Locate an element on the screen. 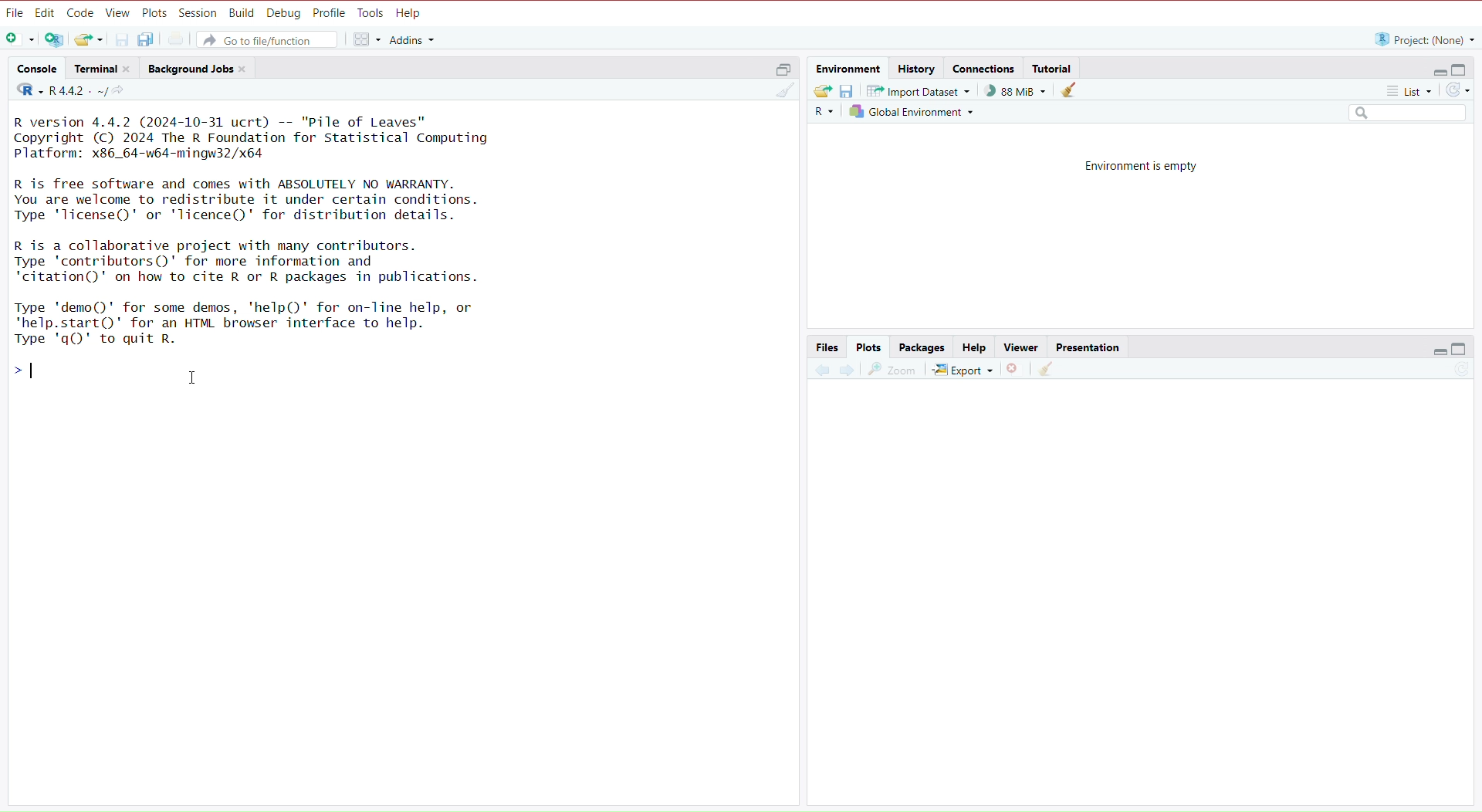 The width and height of the screenshot is (1482, 812). Next Plot is located at coordinates (848, 369).